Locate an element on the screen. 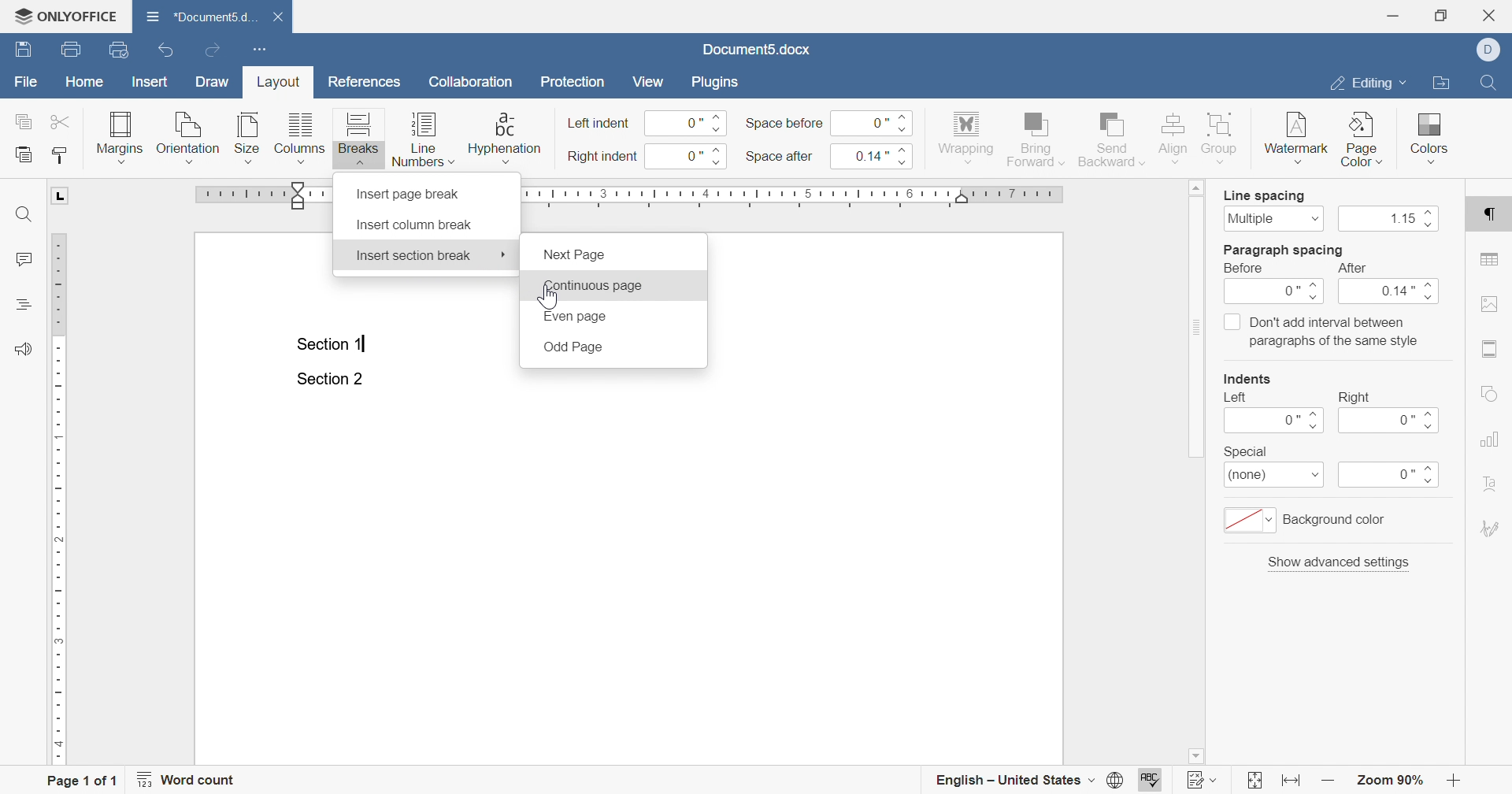 The width and height of the screenshot is (1512, 794). view is located at coordinates (650, 82).